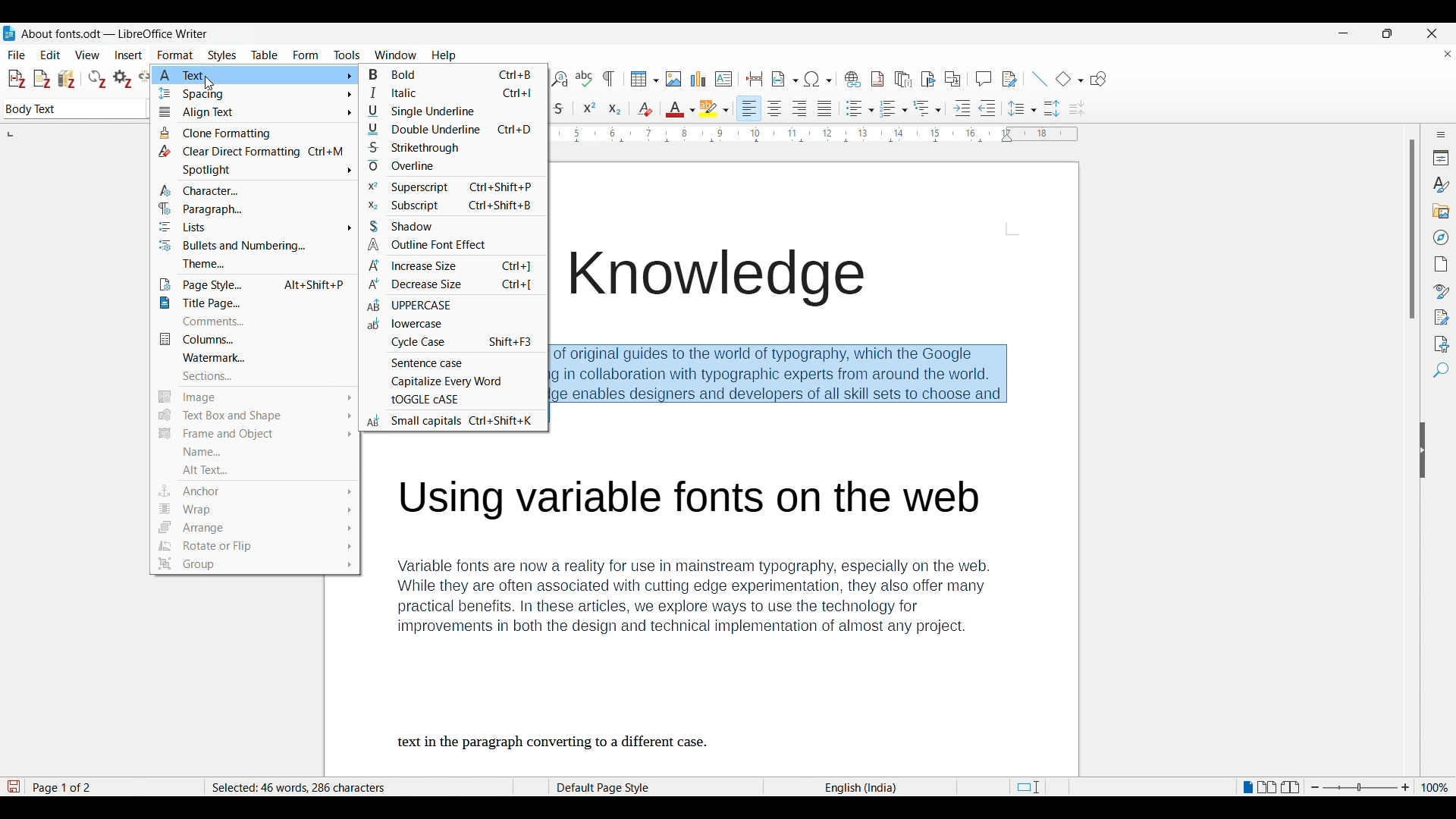  I want to click on Variable fonts are now a reality for use in mainstream typography, especially on the web.
While they are often associated with cutting edge experimentation, they also offer many
practical benefits. In these articles, we explore ways to use the technology for
improvements in both the design and technical implementation of almost any project.
text in the paragraph converting to a different case., so click(712, 614).